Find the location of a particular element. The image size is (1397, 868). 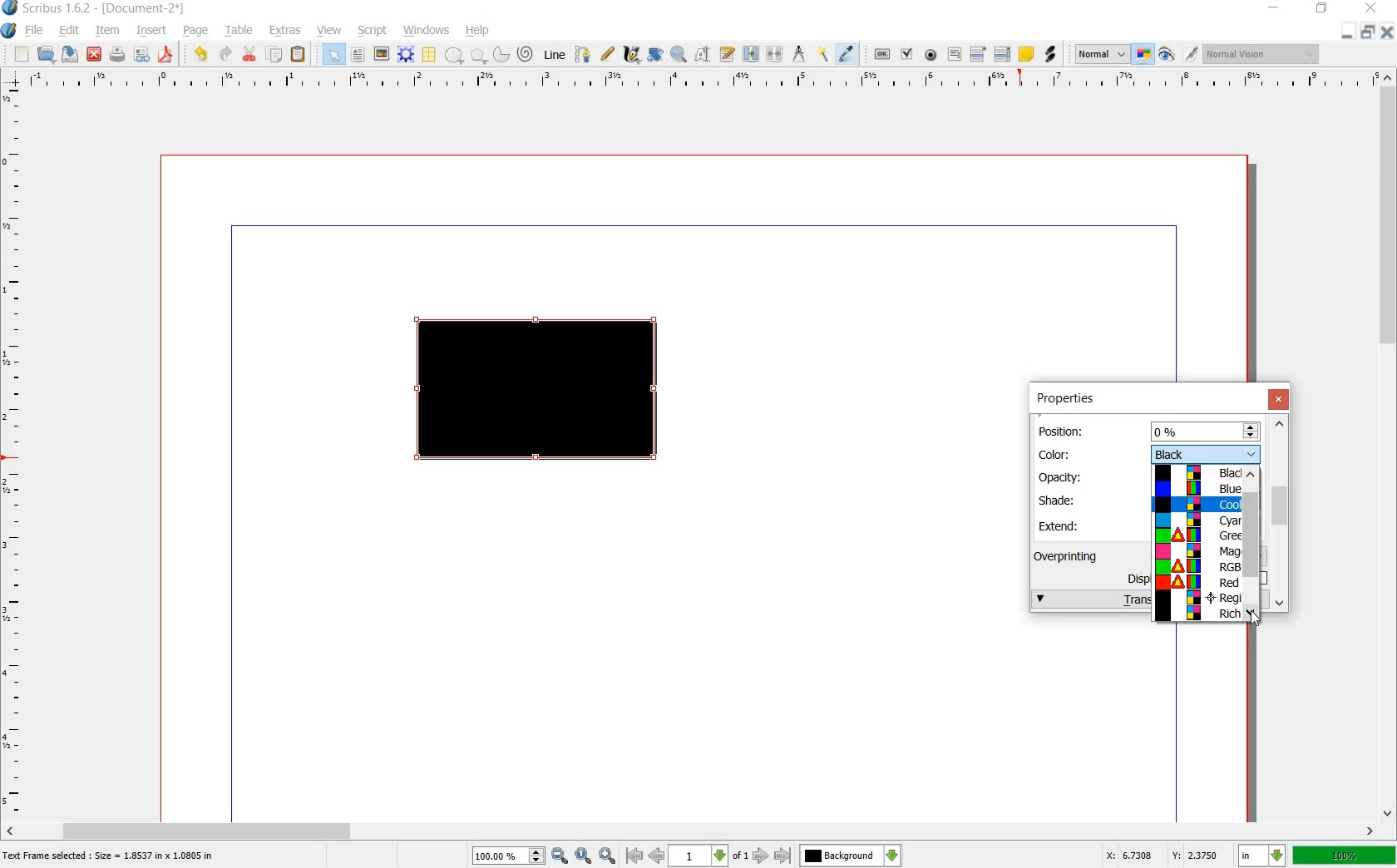

properties is located at coordinates (1064, 399).